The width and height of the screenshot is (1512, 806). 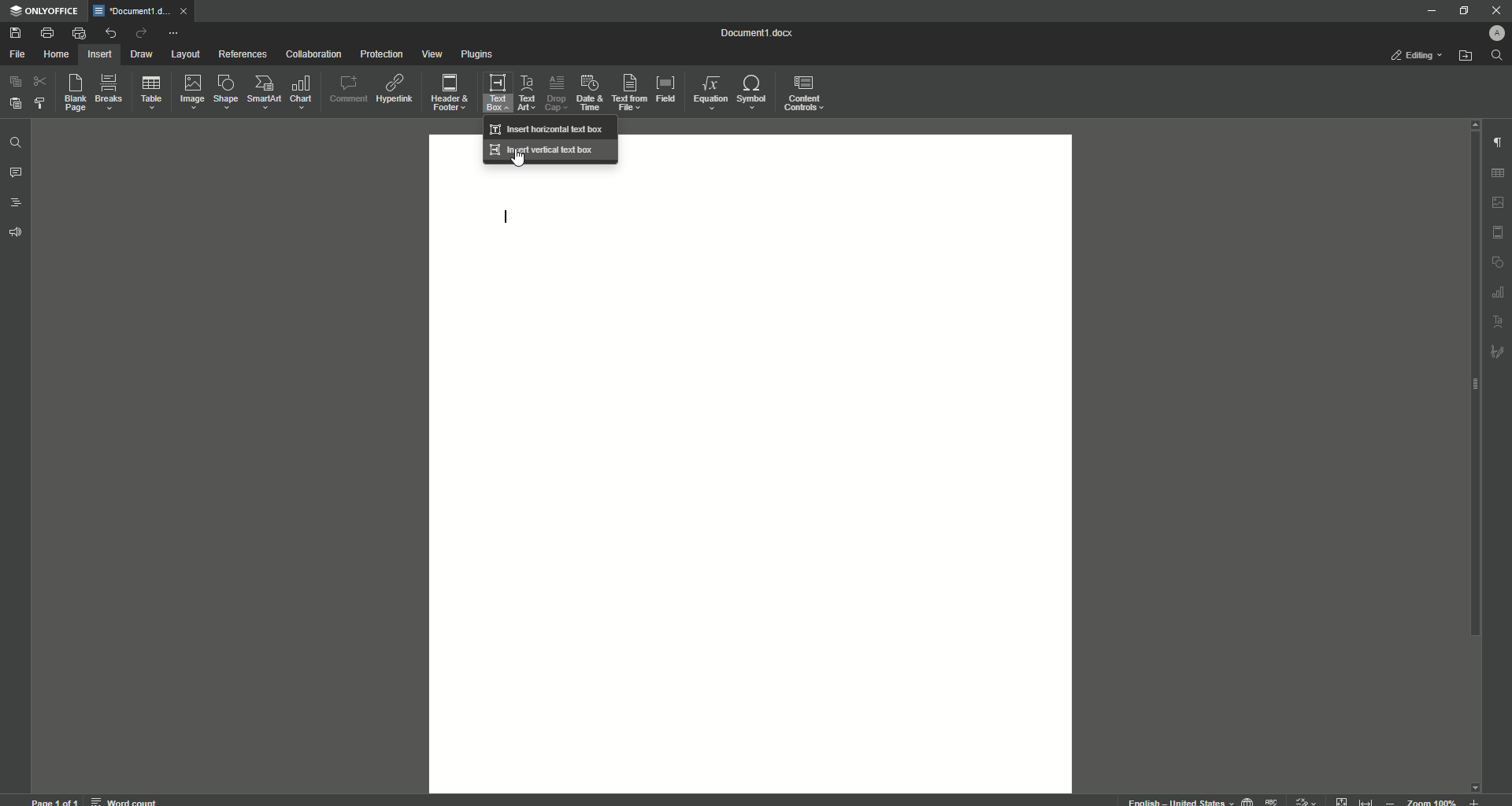 What do you see at coordinates (521, 162) in the screenshot?
I see `cursor` at bounding box center [521, 162].